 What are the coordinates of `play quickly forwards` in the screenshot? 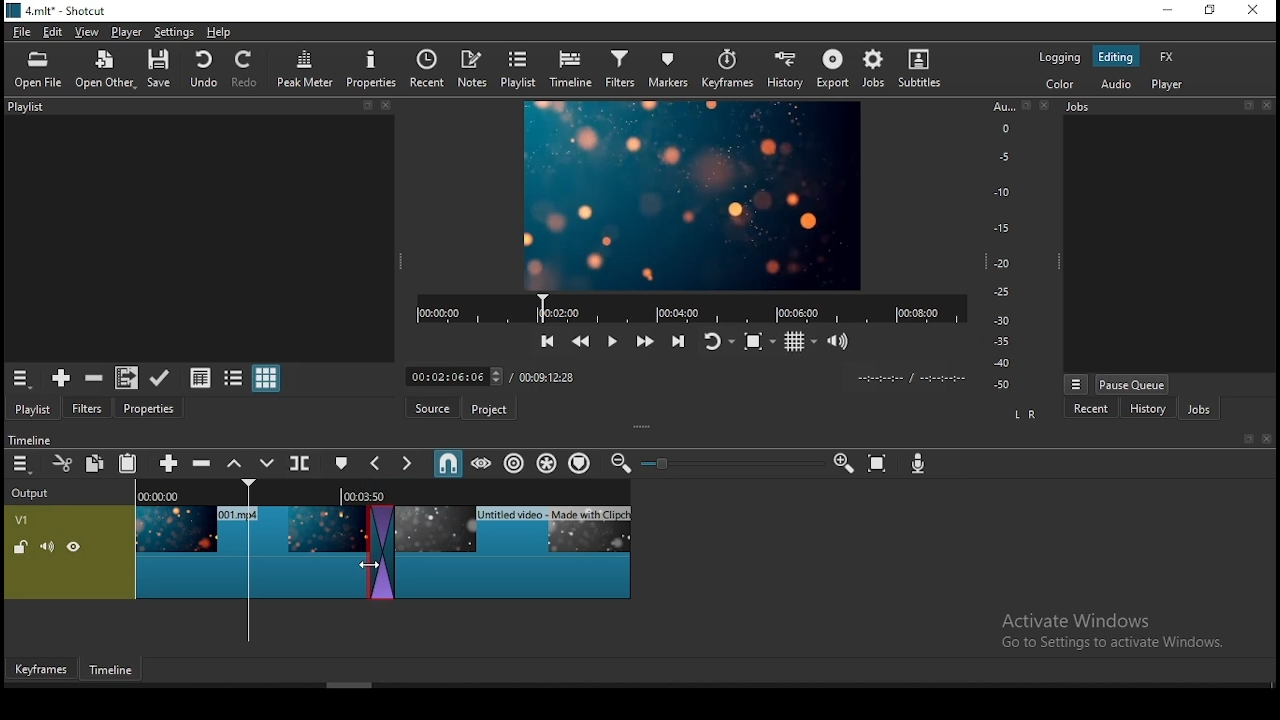 It's located at (645, 342).